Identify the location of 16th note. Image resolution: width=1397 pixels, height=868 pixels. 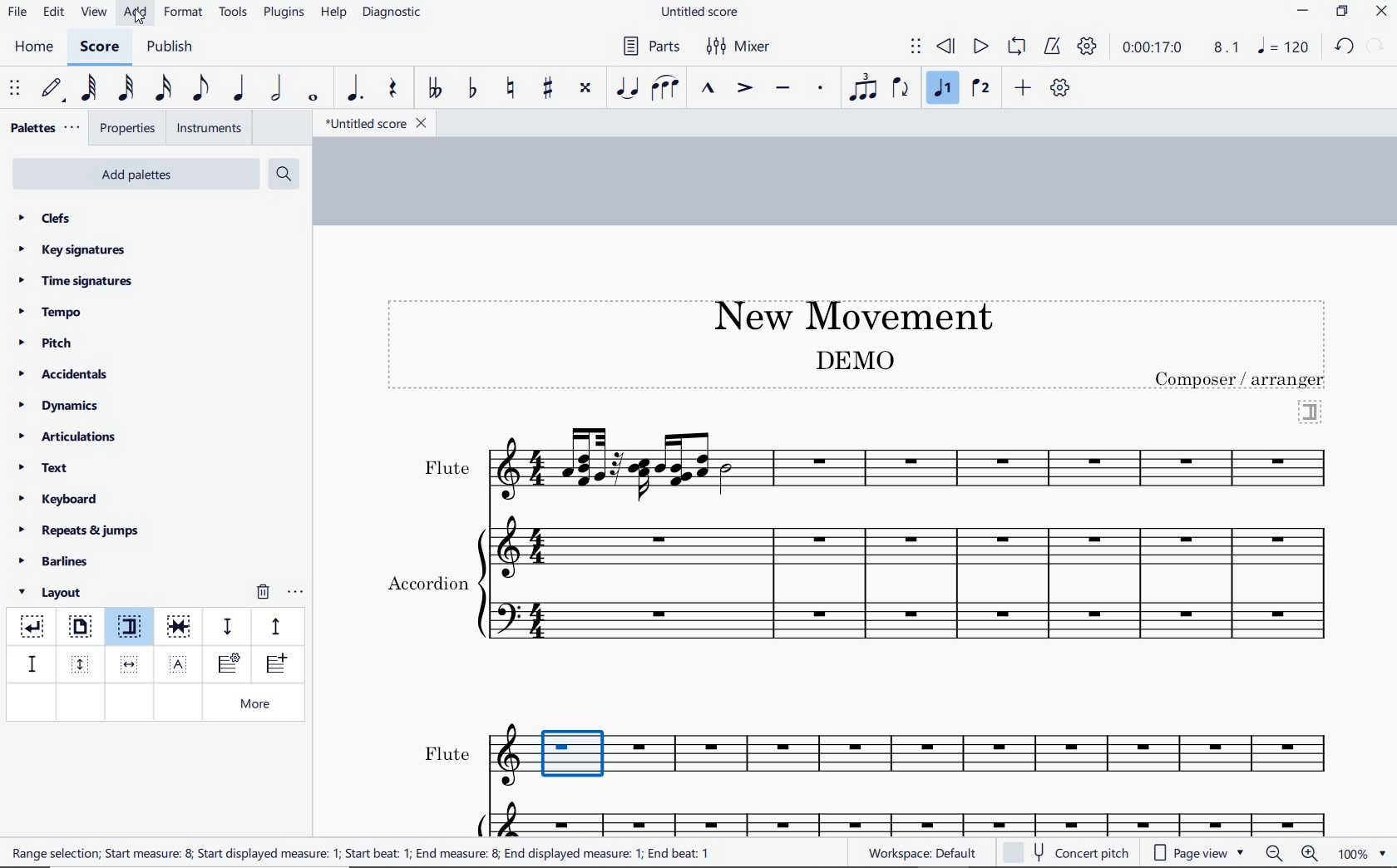
(164, 89).